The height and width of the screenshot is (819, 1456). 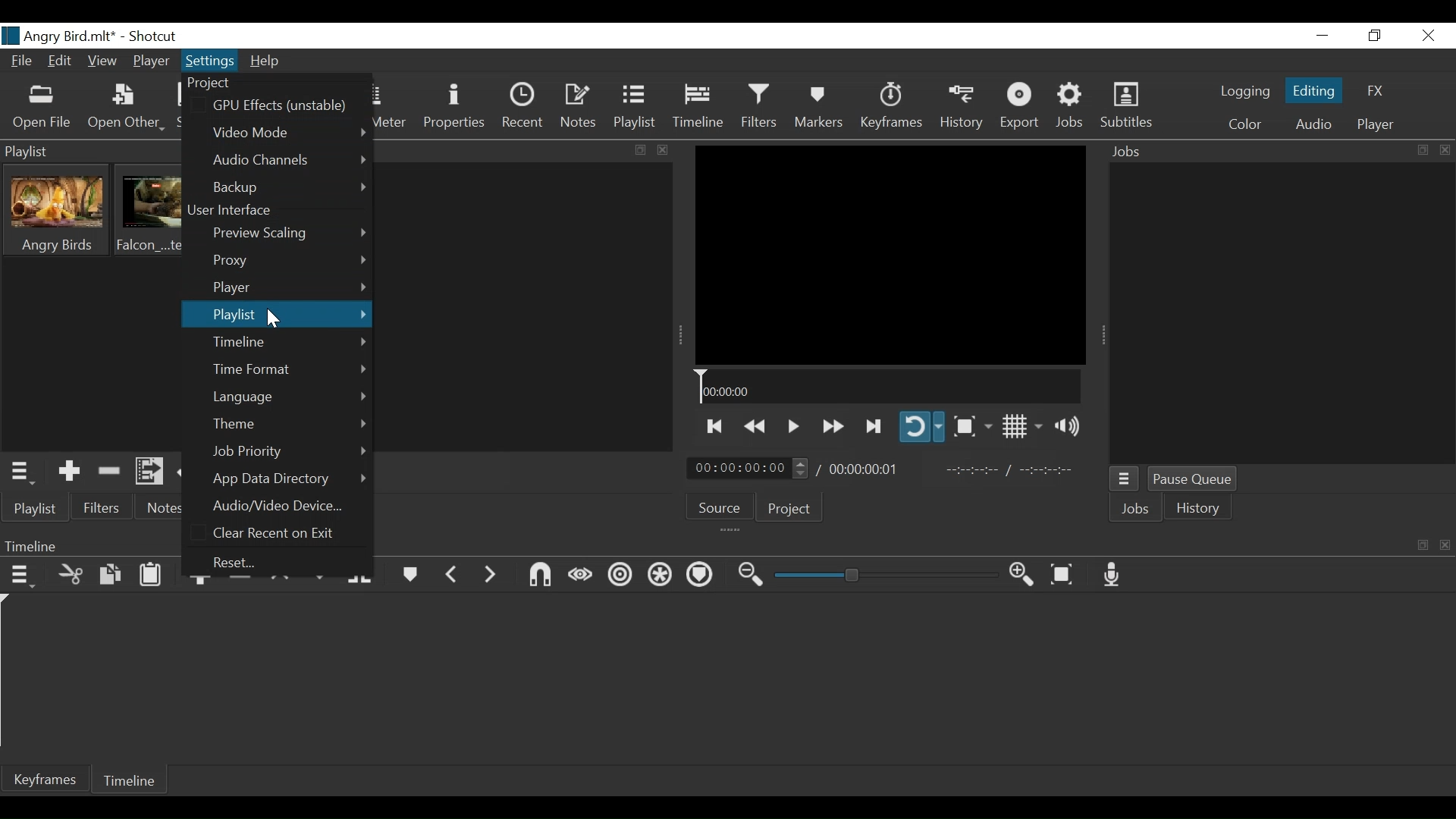 What do you see at coordinates (288, 262) in the screenshot?
I see `Proxy` at bounding box center [288, 262].